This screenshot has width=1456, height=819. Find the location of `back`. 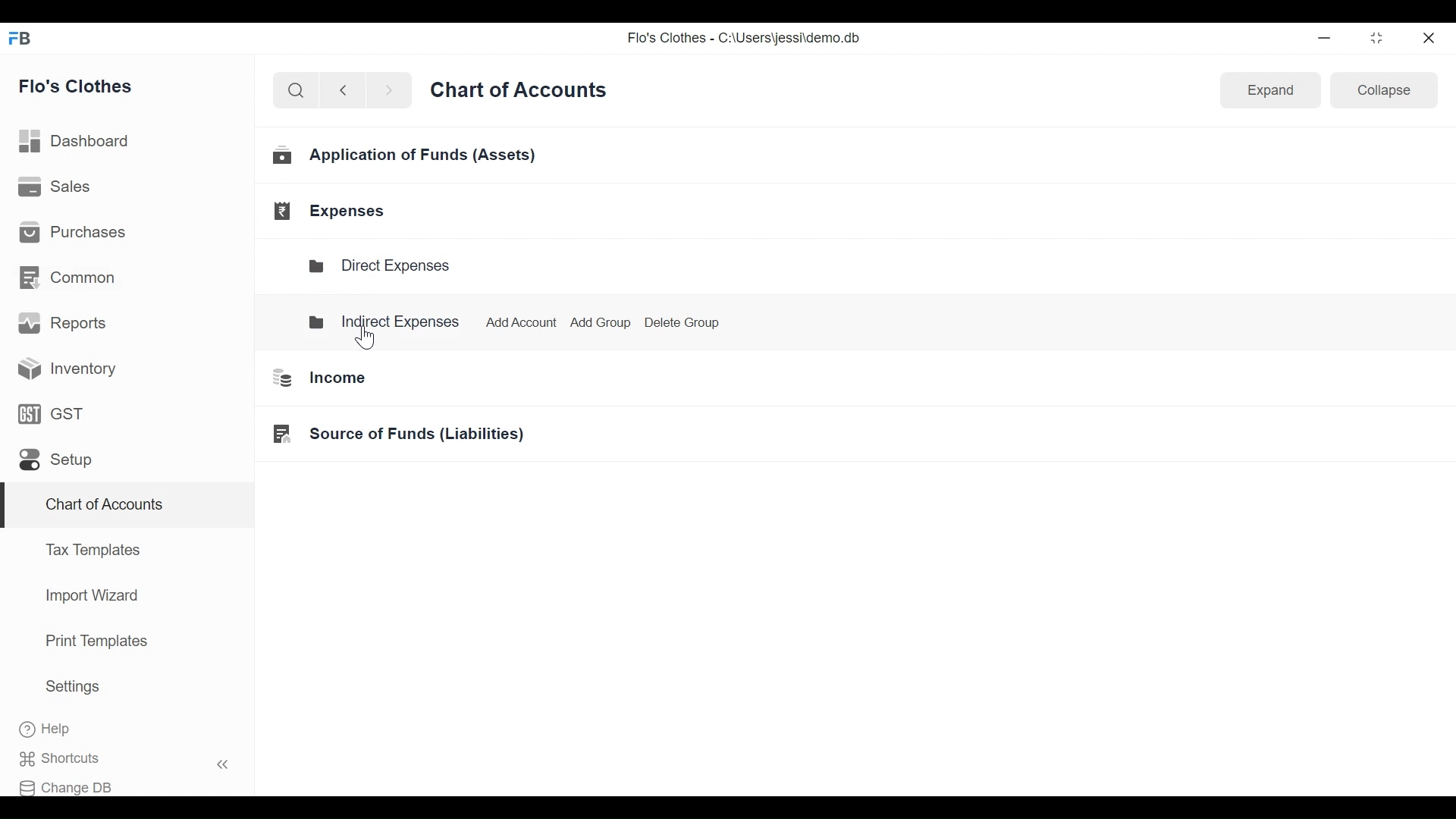

back is located at coordinates (349, 93).